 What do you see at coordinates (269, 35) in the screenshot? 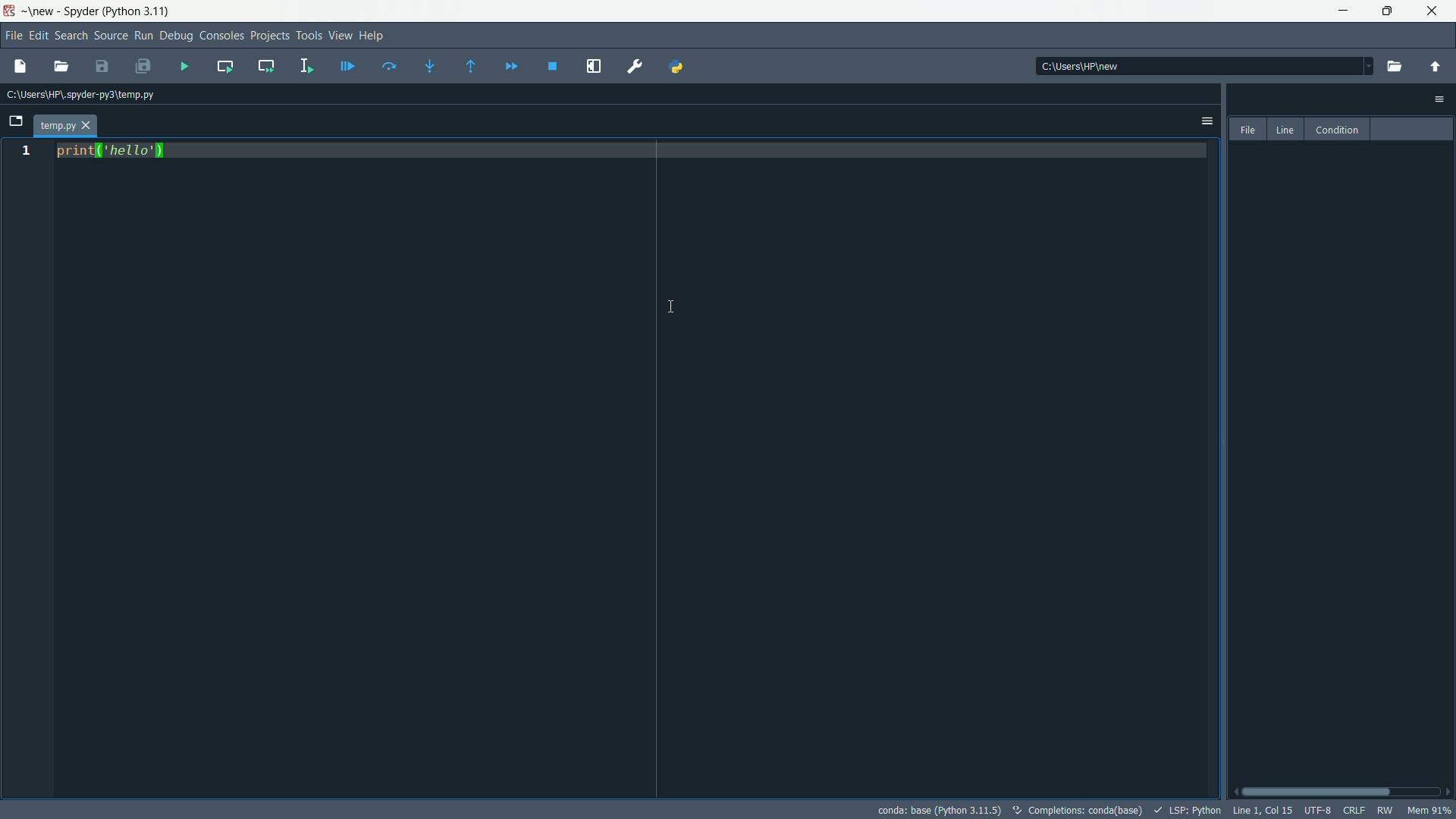
I see `projects menu` at bounding box center [269, 35].